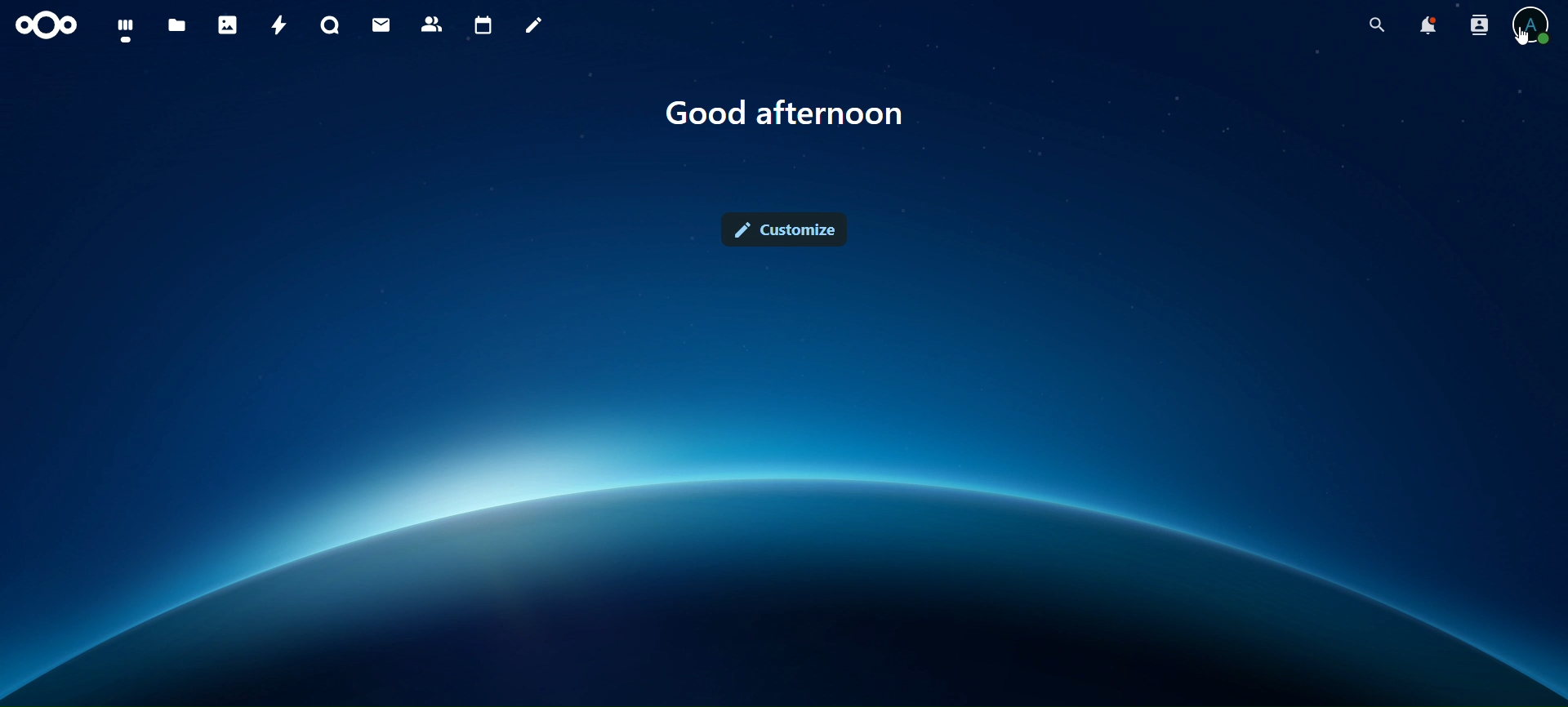  I want to click on photos, so click(227, 24).